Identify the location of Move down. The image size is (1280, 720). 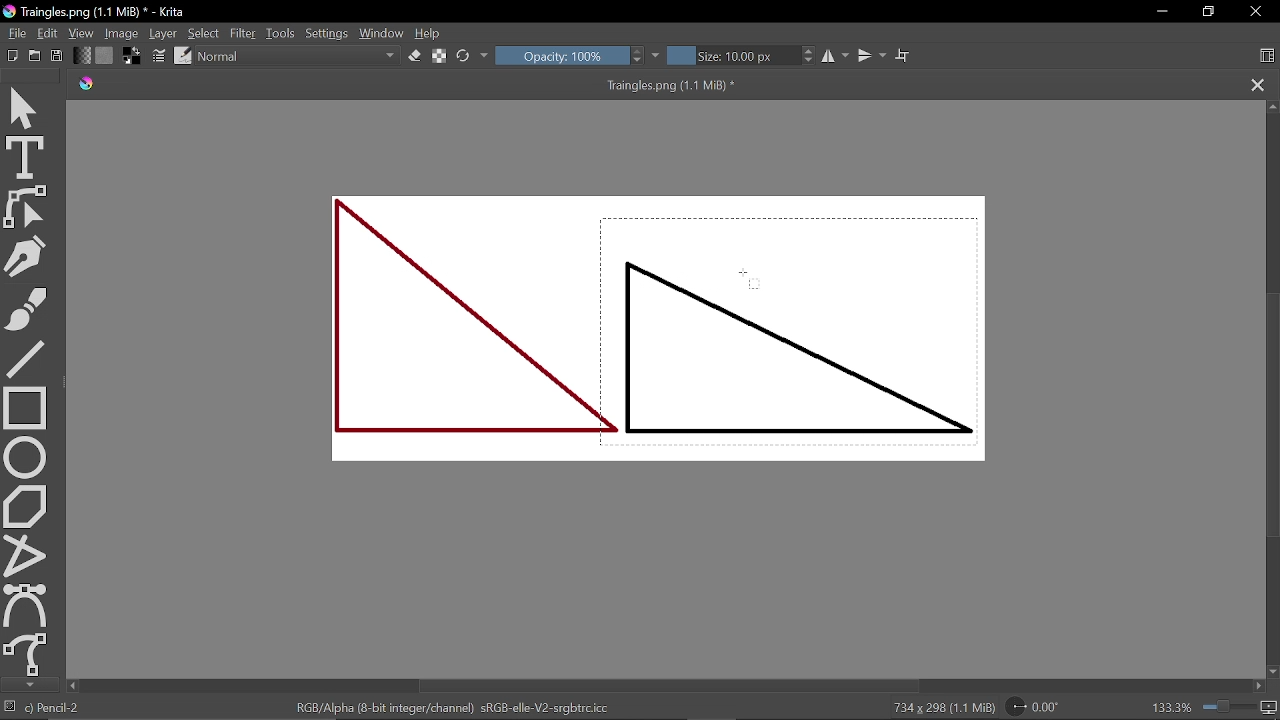
(28, 685).